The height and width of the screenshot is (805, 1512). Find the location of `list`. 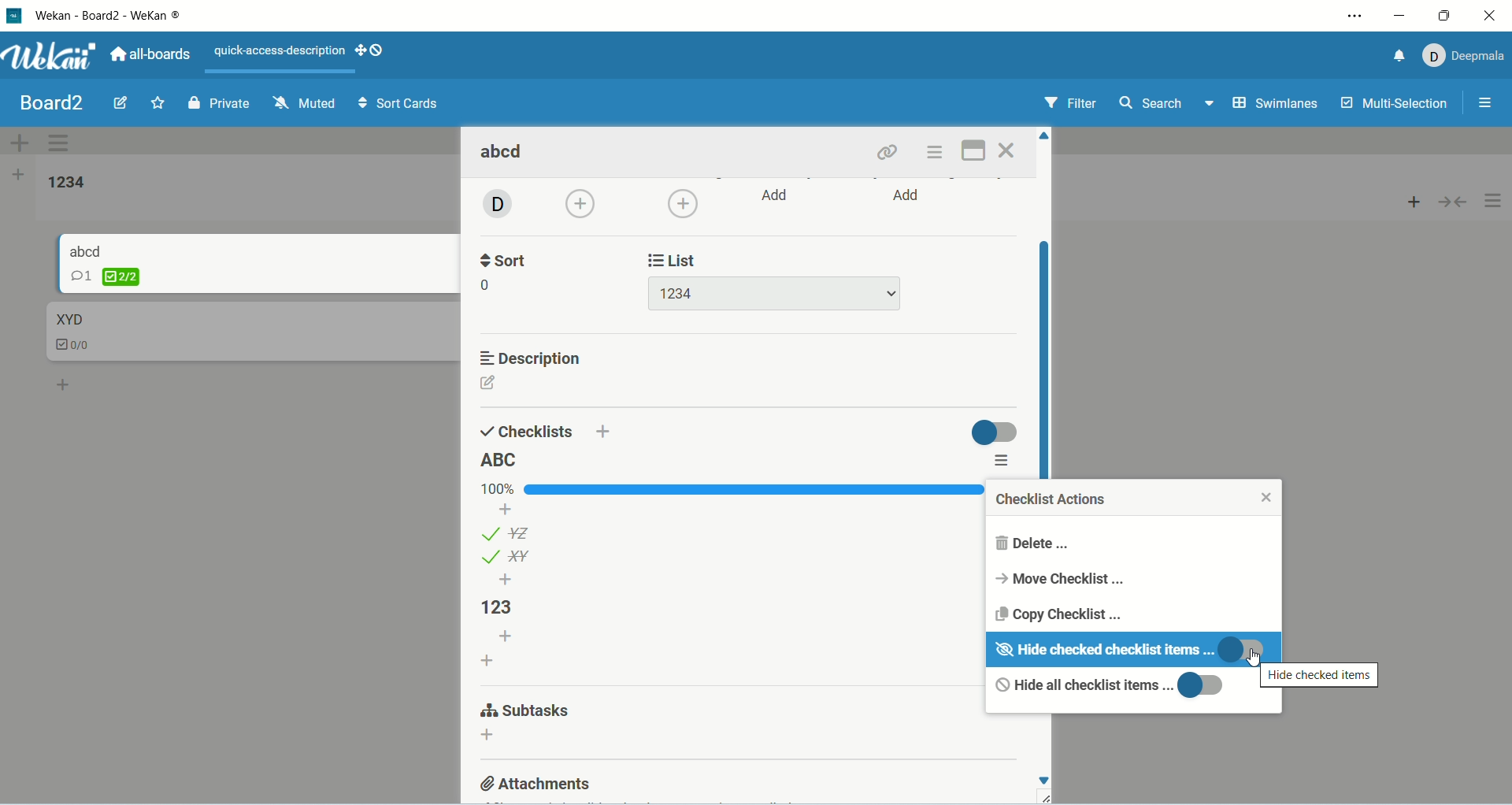

list is located at coordinates (677, 258).